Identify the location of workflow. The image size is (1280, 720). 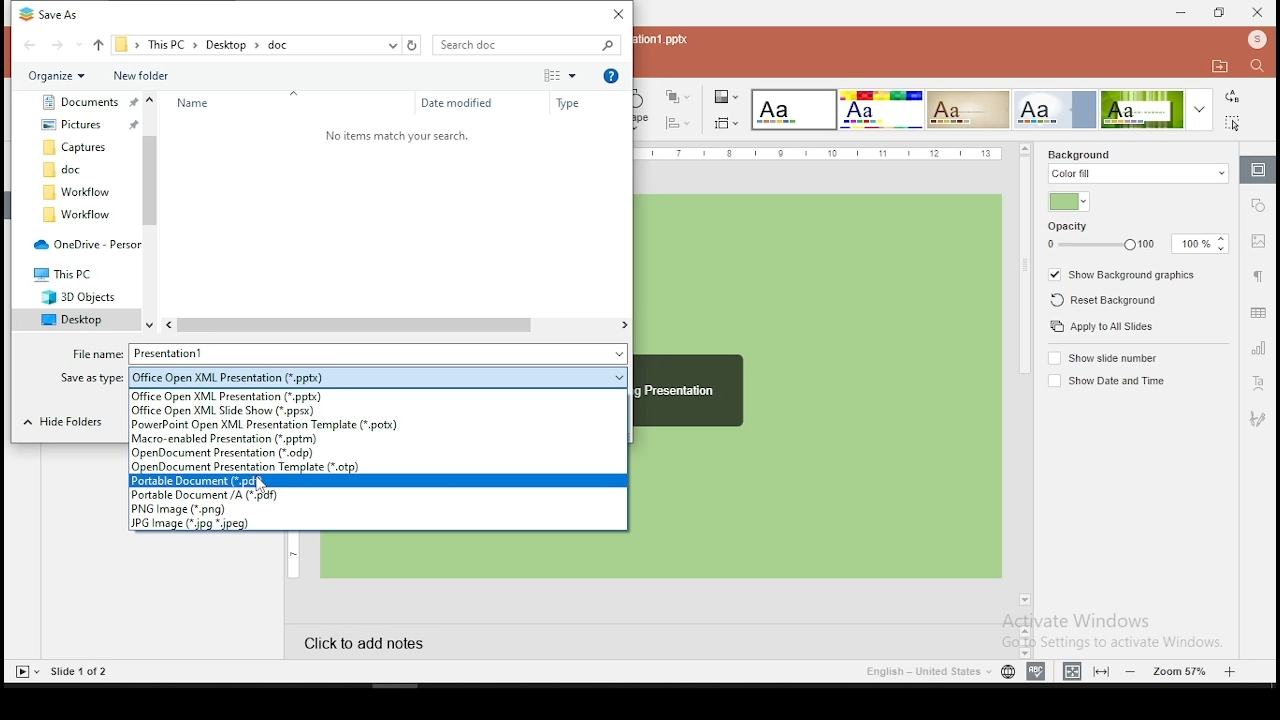
(79, 215).